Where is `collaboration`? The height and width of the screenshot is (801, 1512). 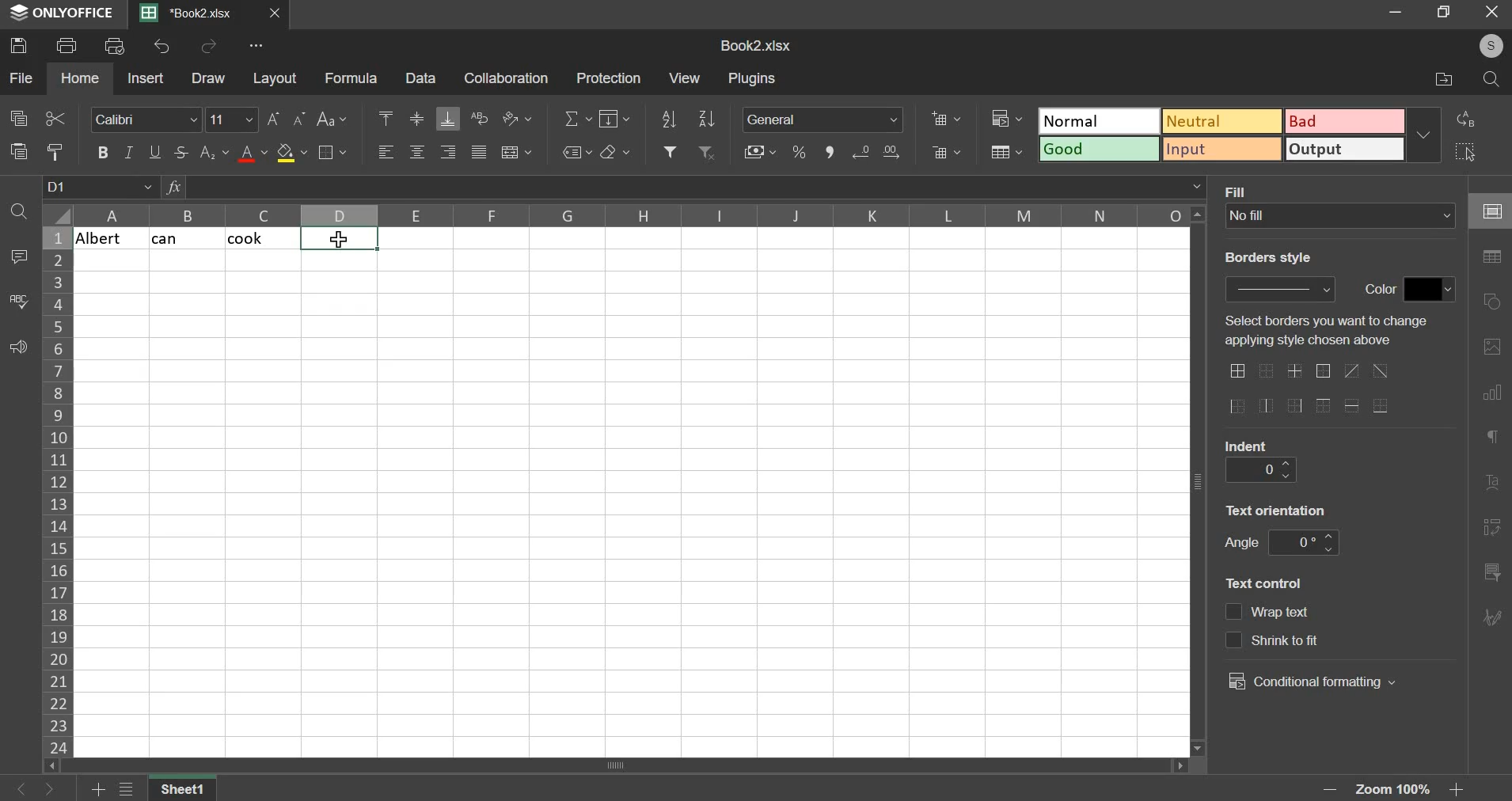 collaboration is located at coordinates (507, 79).